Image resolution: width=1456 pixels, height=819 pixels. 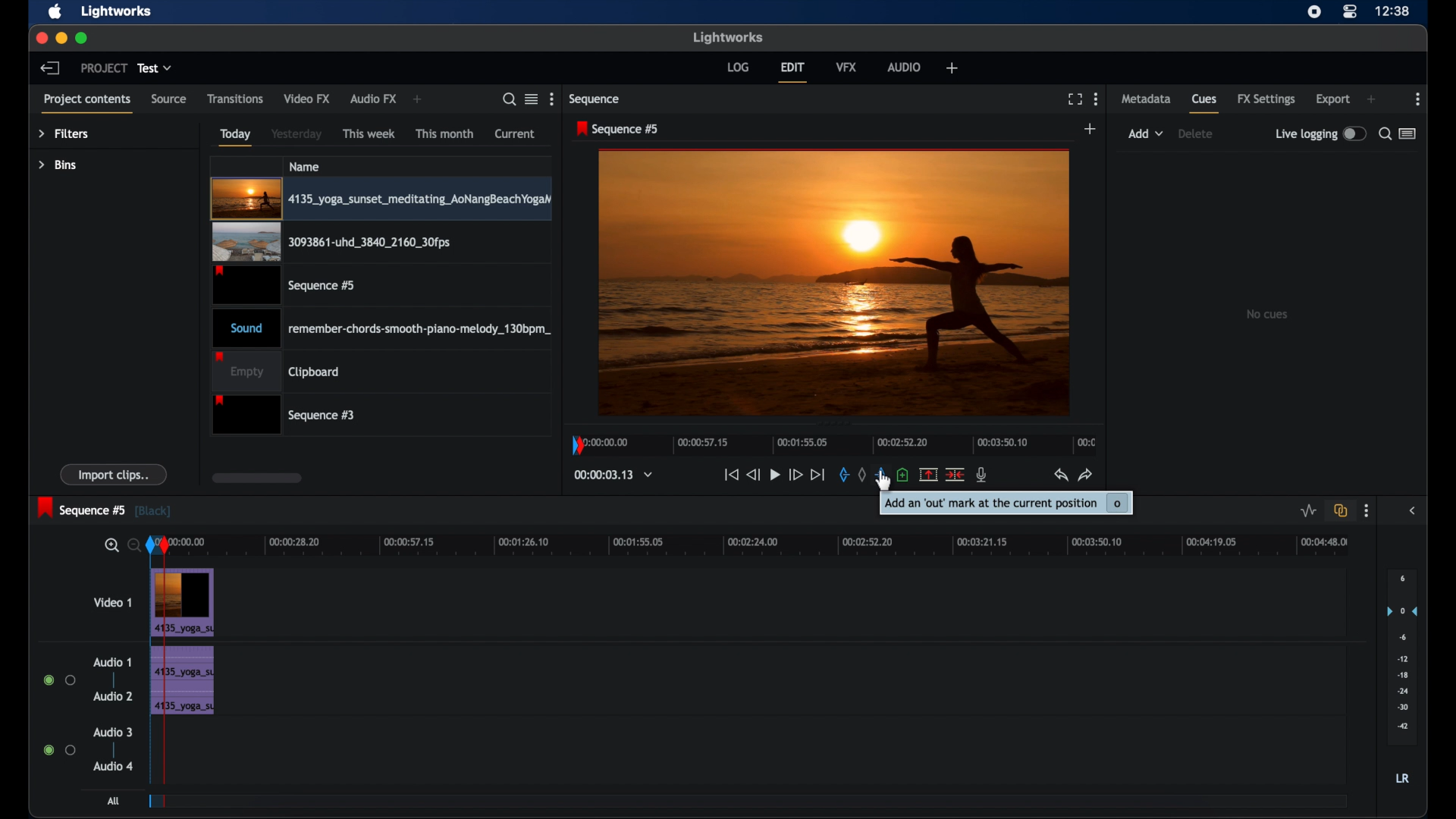 I want to click on lightworks, so click(x=118, y=11).